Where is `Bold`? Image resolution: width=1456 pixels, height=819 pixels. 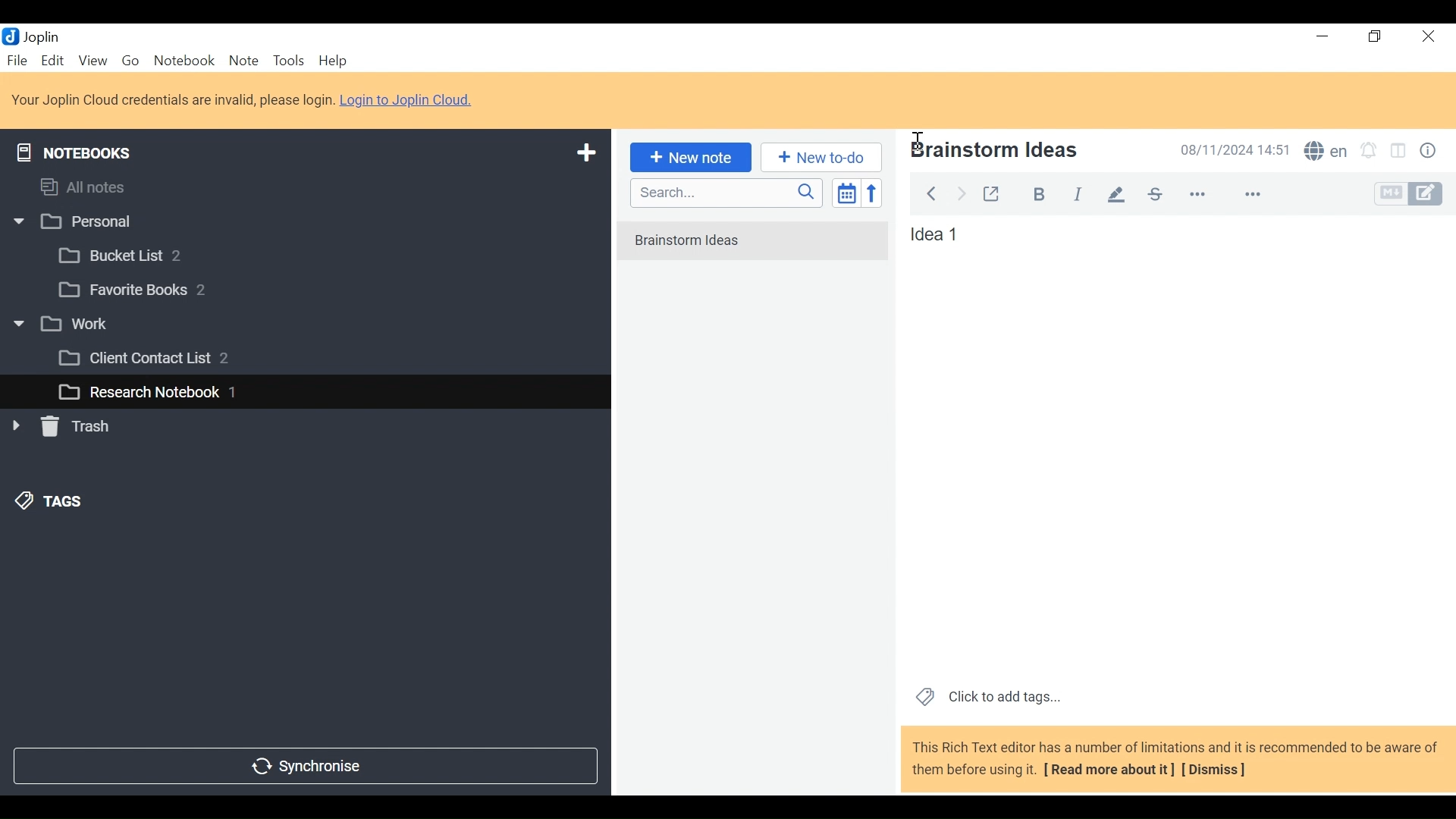 Bold is located at coordinates (1032, 192).